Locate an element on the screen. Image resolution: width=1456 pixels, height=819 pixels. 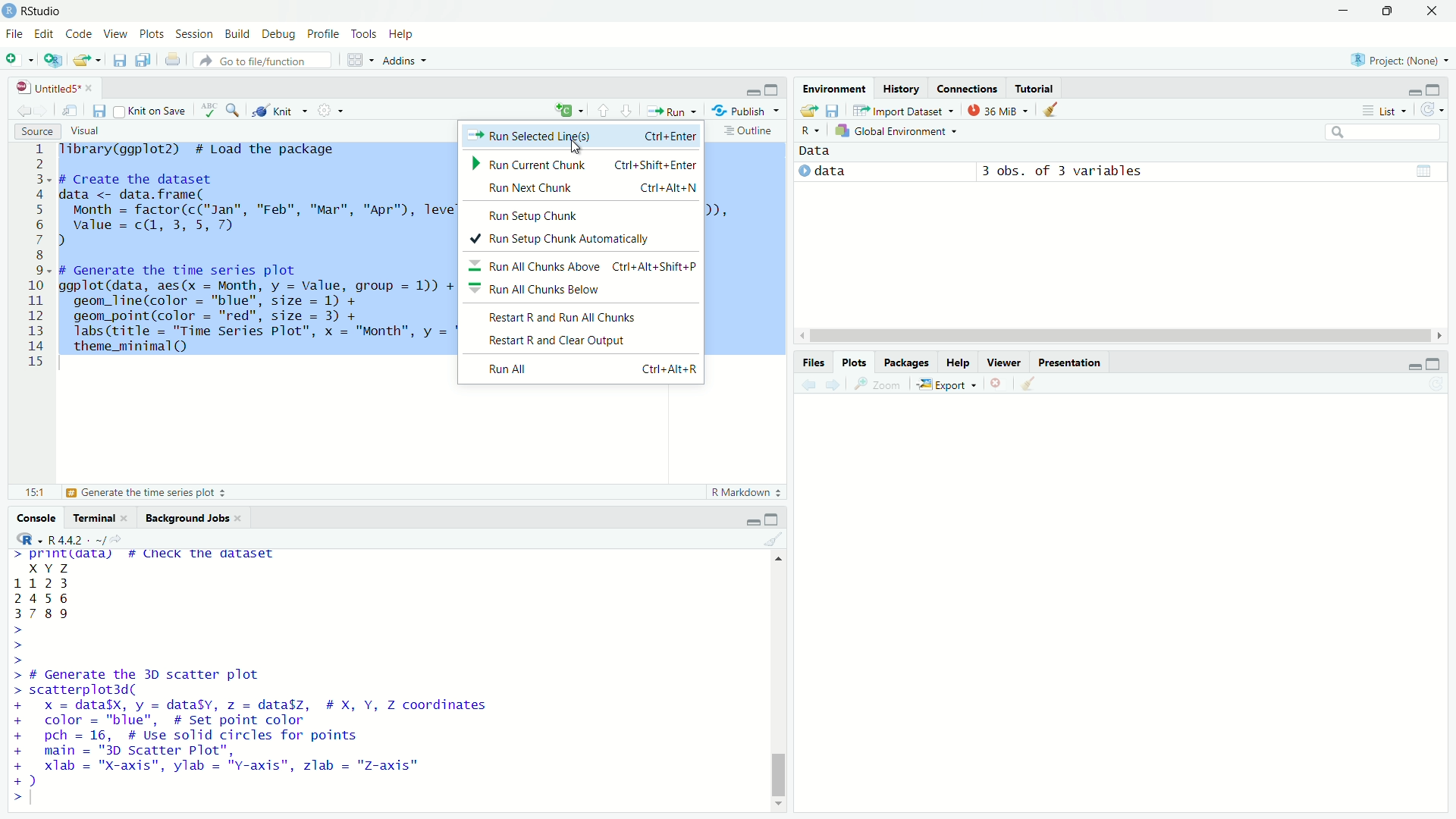
global environment is located at coordinates (899, 132).